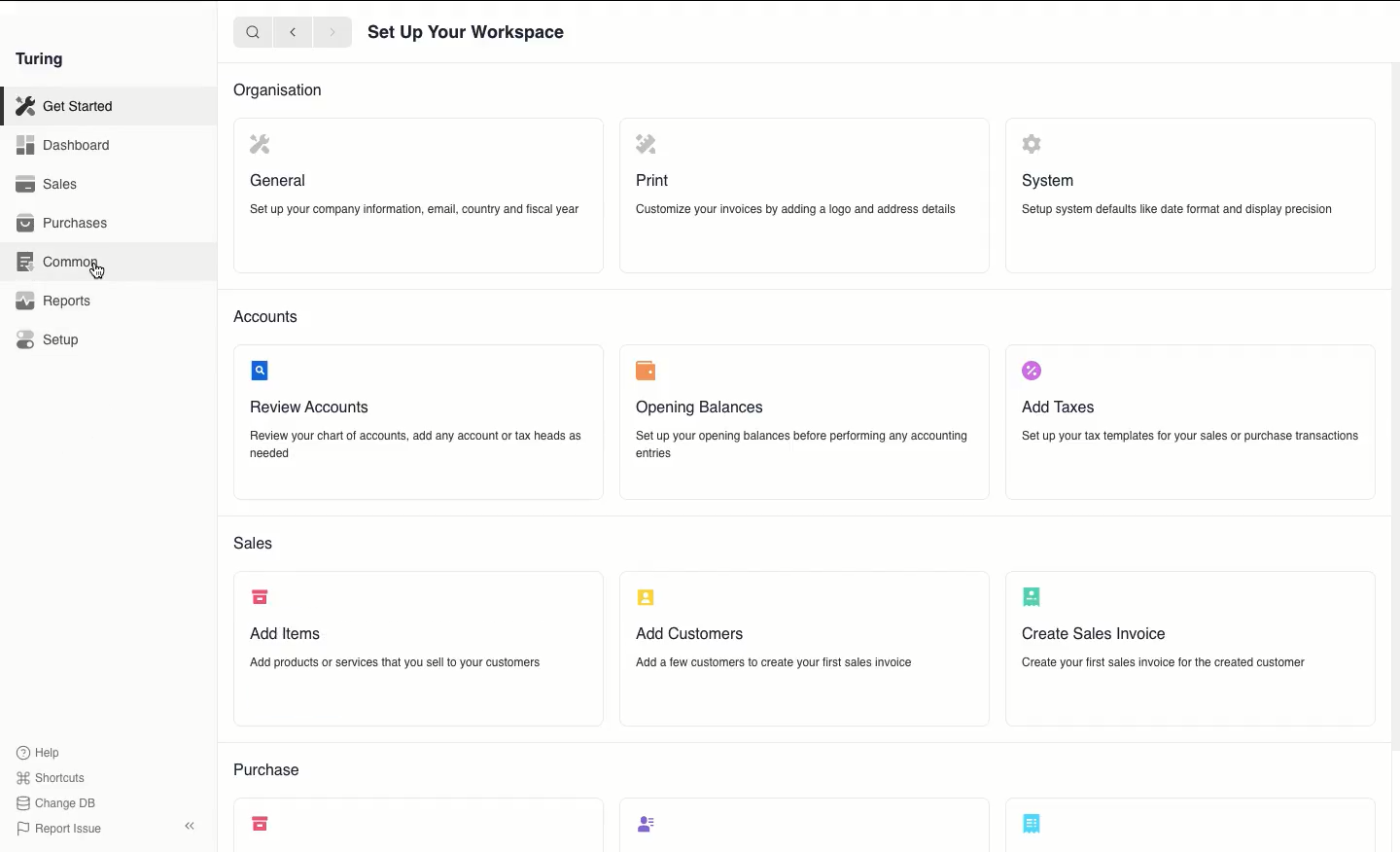 This screenshot has width=1400, height=852. What do you see at coordinates (313, 386) in the screenshot?
I see `Review Accounts` at bounding box center [313, 386].